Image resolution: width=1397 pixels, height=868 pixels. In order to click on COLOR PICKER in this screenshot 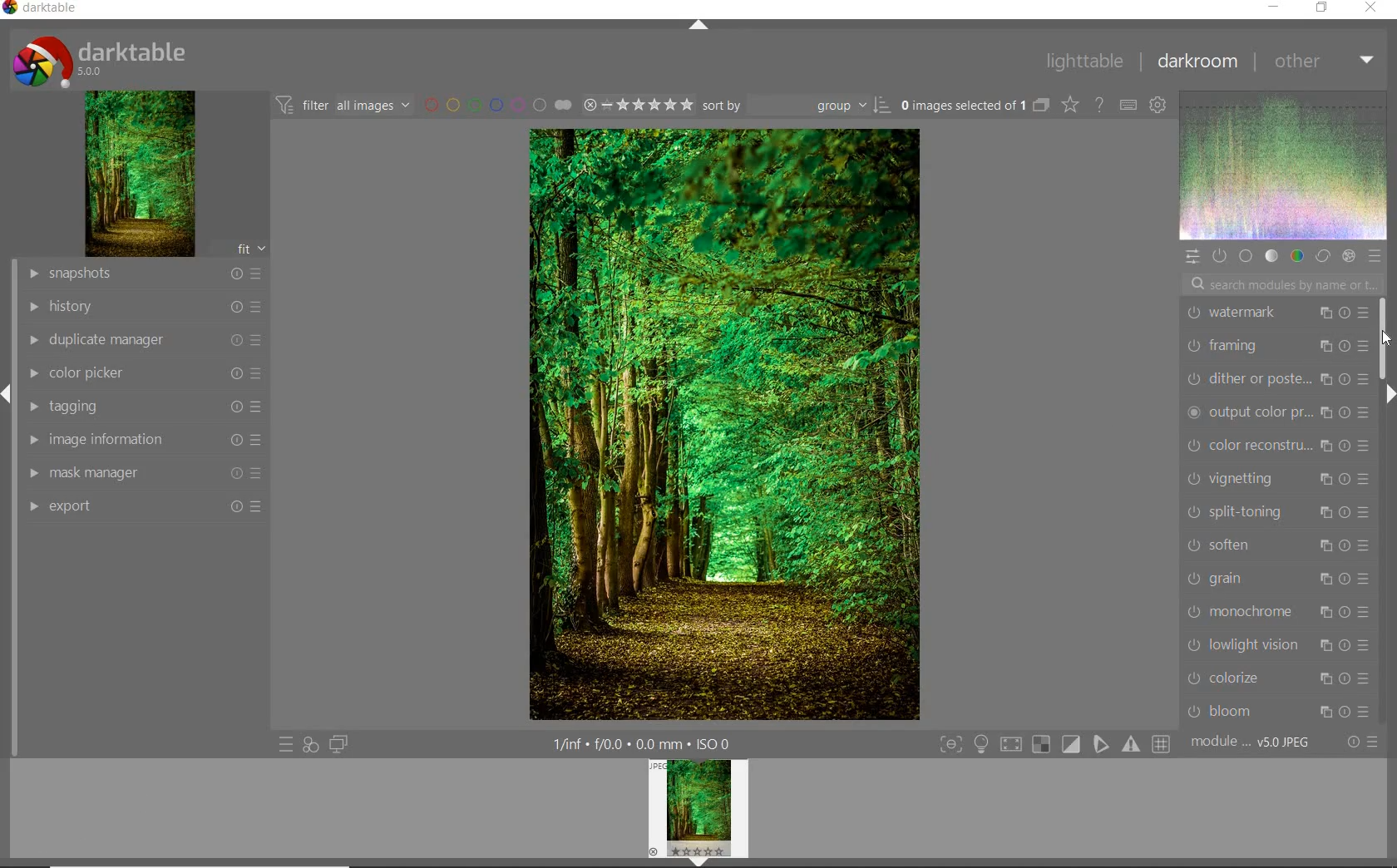, I will do `click(141, 373)`.